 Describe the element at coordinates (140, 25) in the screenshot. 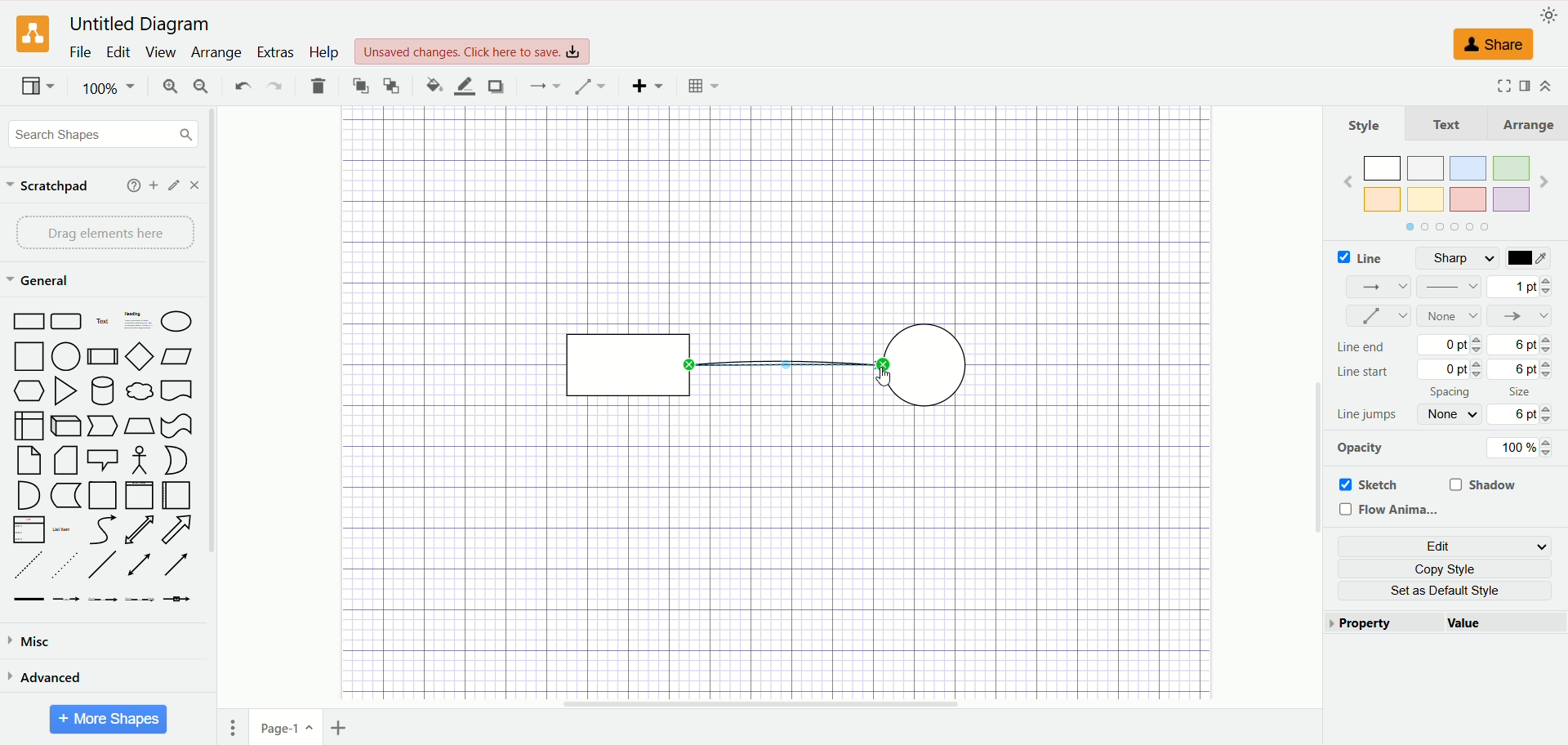

I see `Untitled Diagram` at that location.